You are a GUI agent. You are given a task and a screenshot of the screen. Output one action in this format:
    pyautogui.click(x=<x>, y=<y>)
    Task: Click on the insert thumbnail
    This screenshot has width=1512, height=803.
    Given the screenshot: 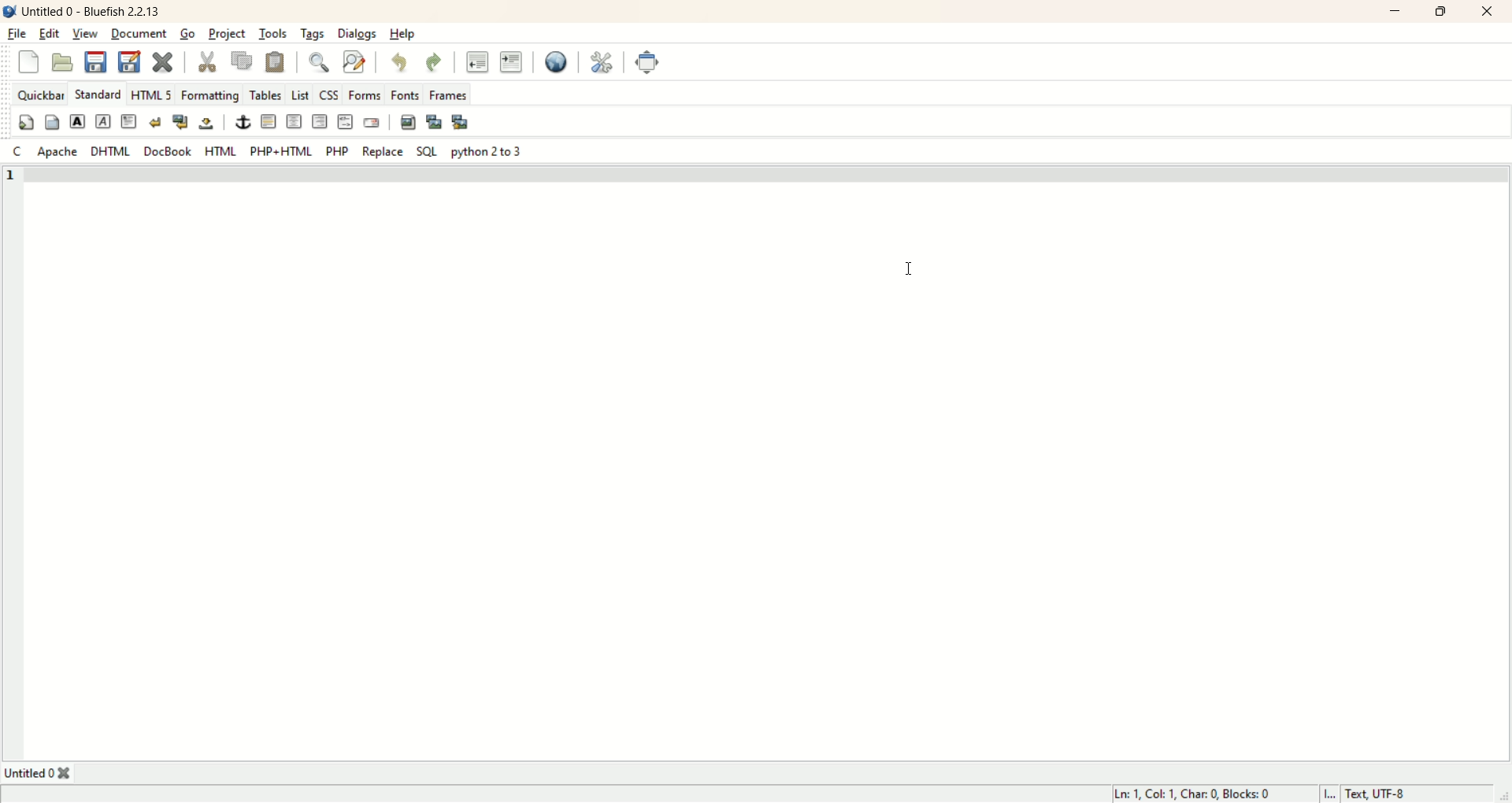 What is the action you would take?
    pyautogui.click(x=432, y=122)
    